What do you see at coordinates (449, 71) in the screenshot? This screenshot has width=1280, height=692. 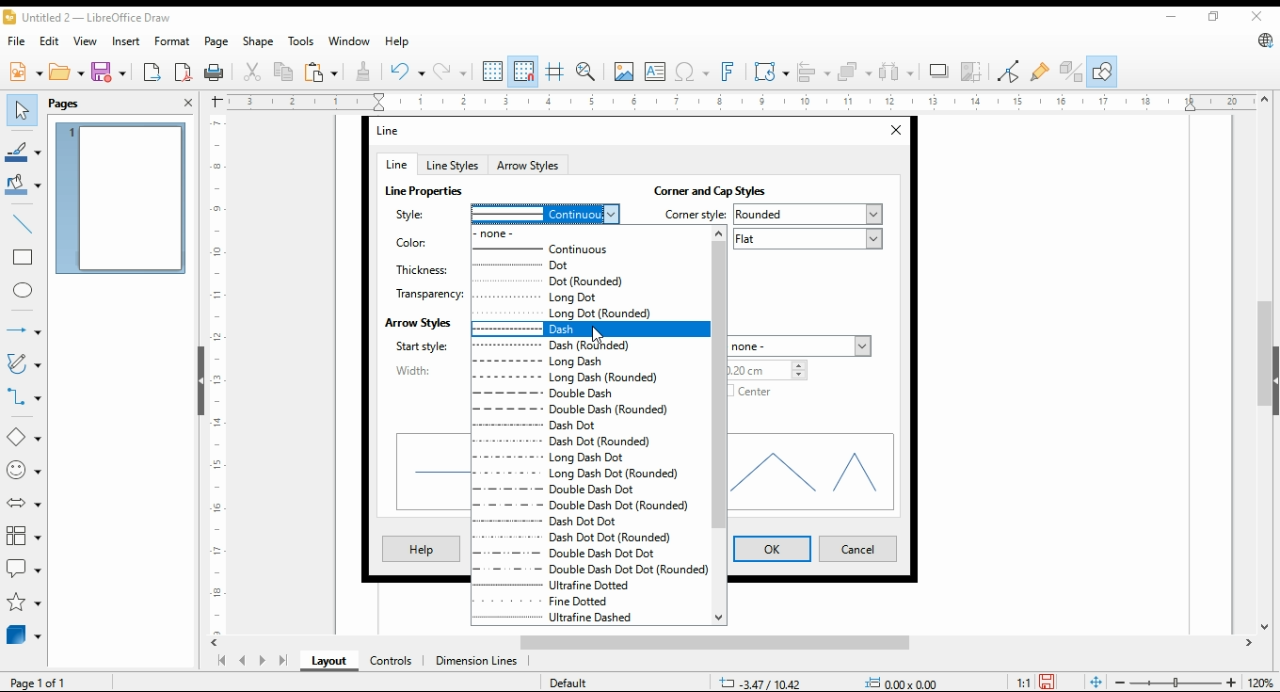 I see `redo` at bounding box center [449, 71].